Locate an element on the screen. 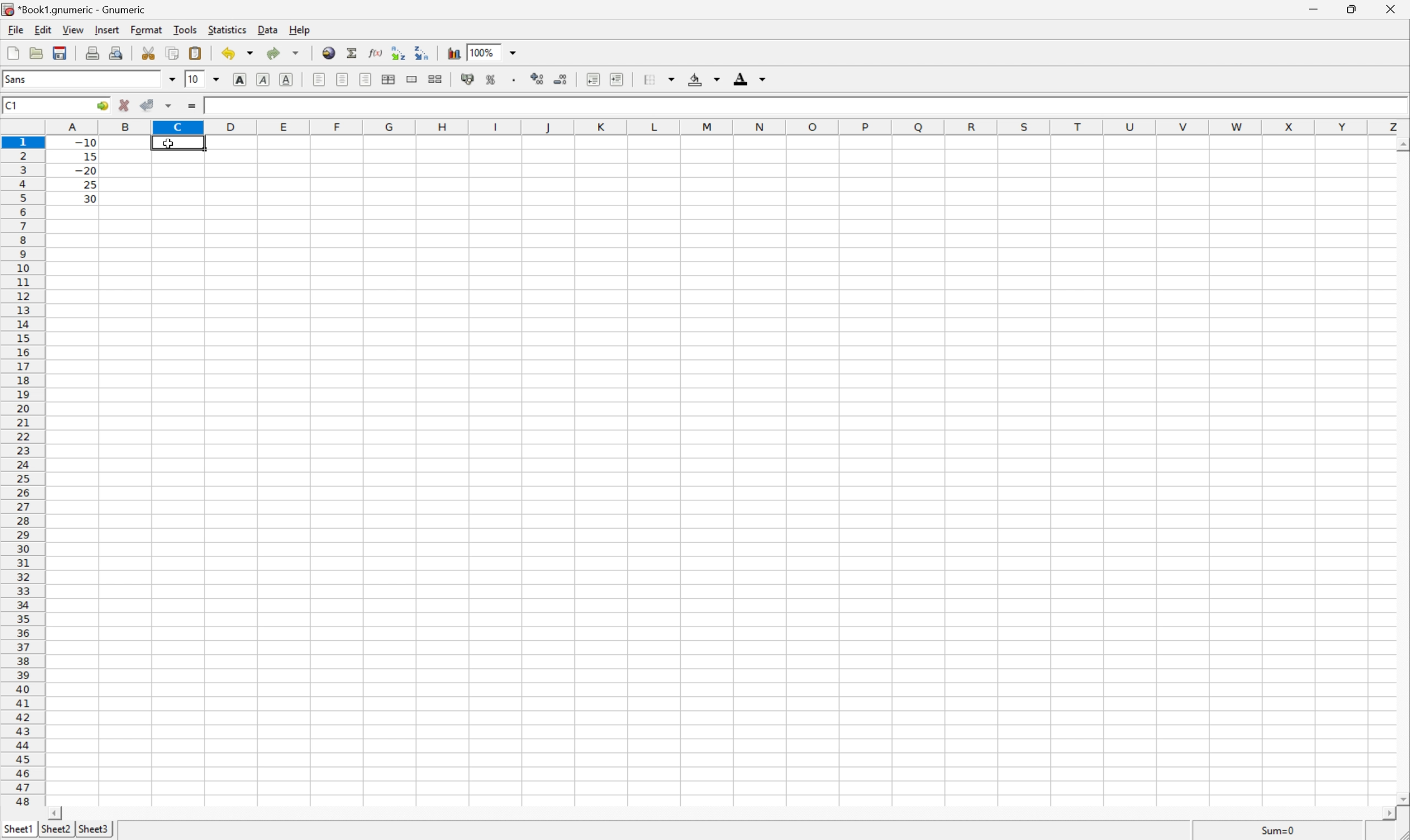 This screenshot has width=1410, height=840. -10 is located at coordinates (86, 141).